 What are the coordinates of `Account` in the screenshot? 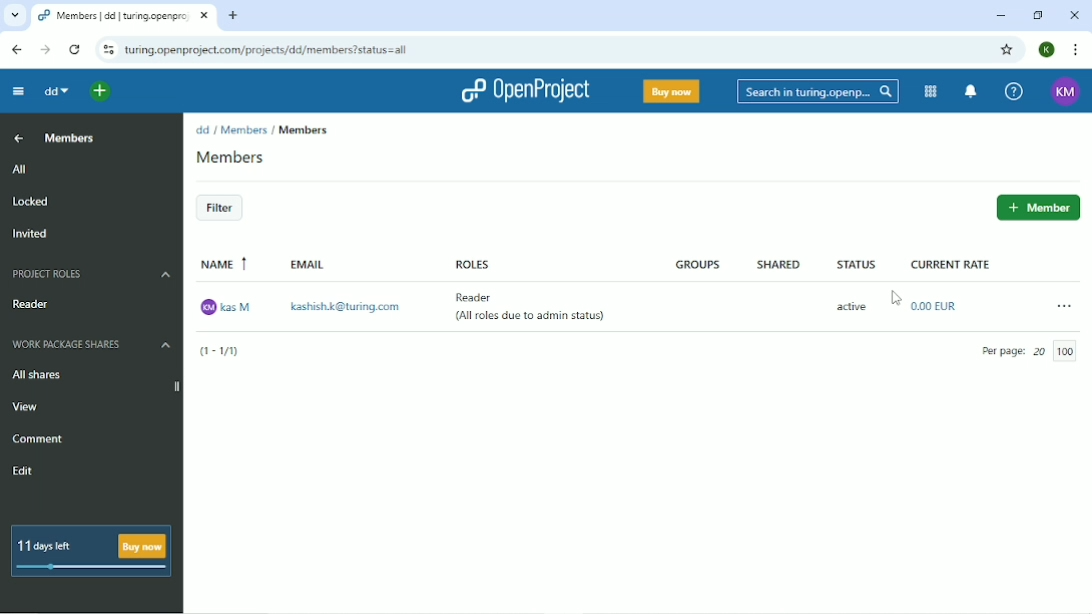 It's located at (1065, 92).